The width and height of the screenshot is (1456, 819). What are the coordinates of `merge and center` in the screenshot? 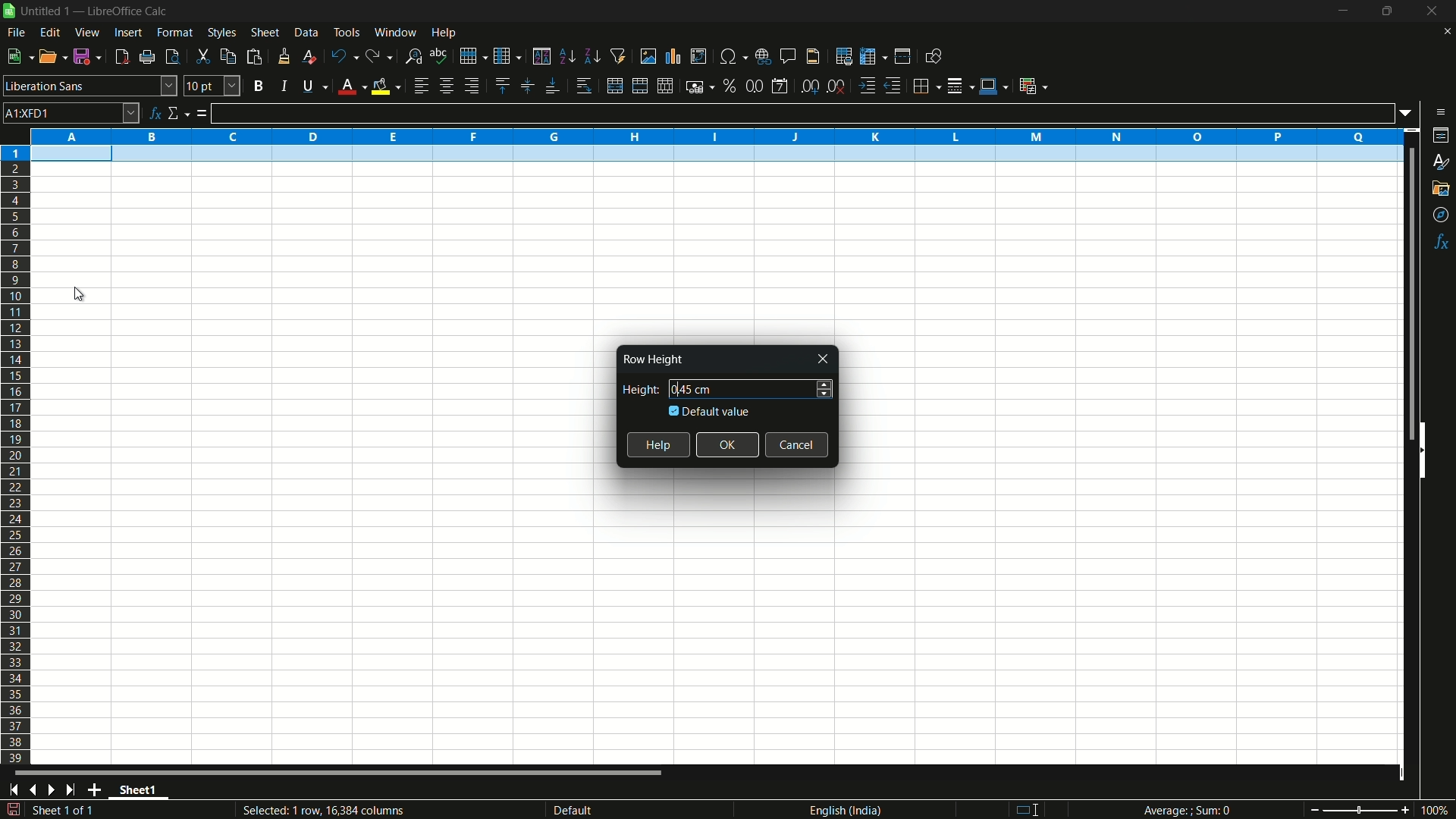 It's located at (638, 86).